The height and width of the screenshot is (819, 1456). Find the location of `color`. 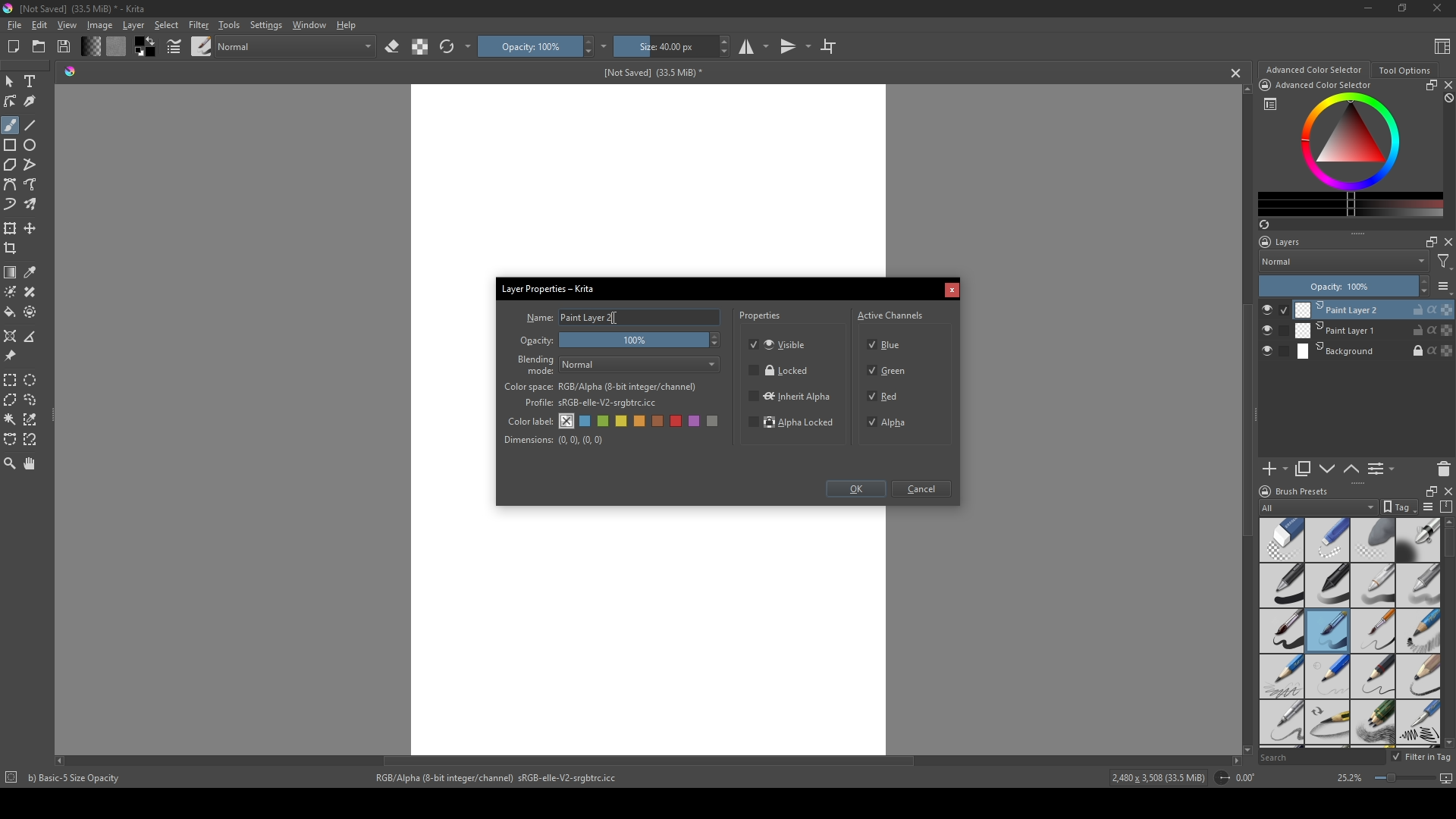

color is located at coordinates (143, 47).